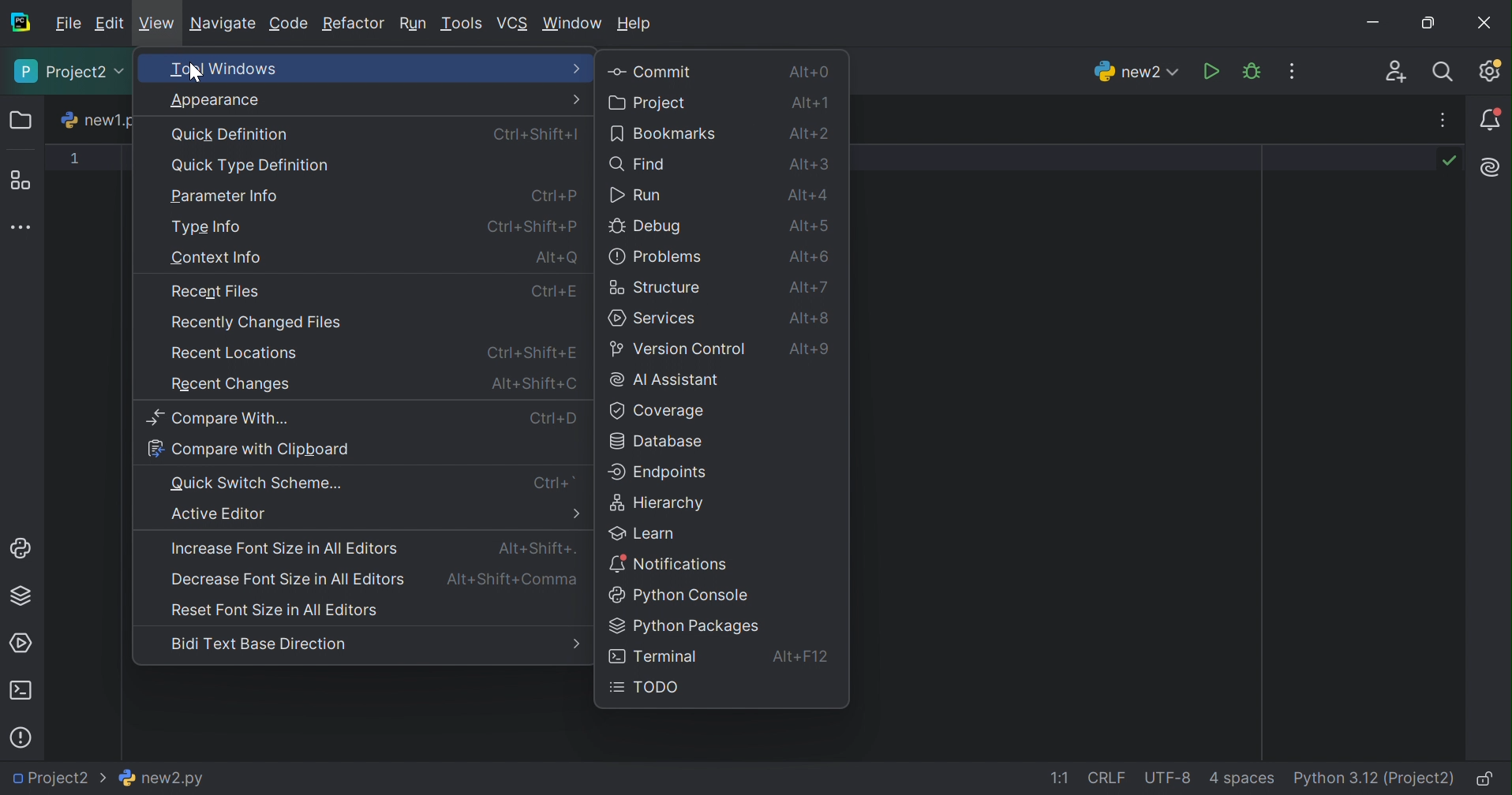 This screenshot has width=1512, height=795. I want to click on Refactor, so click(353, 23).